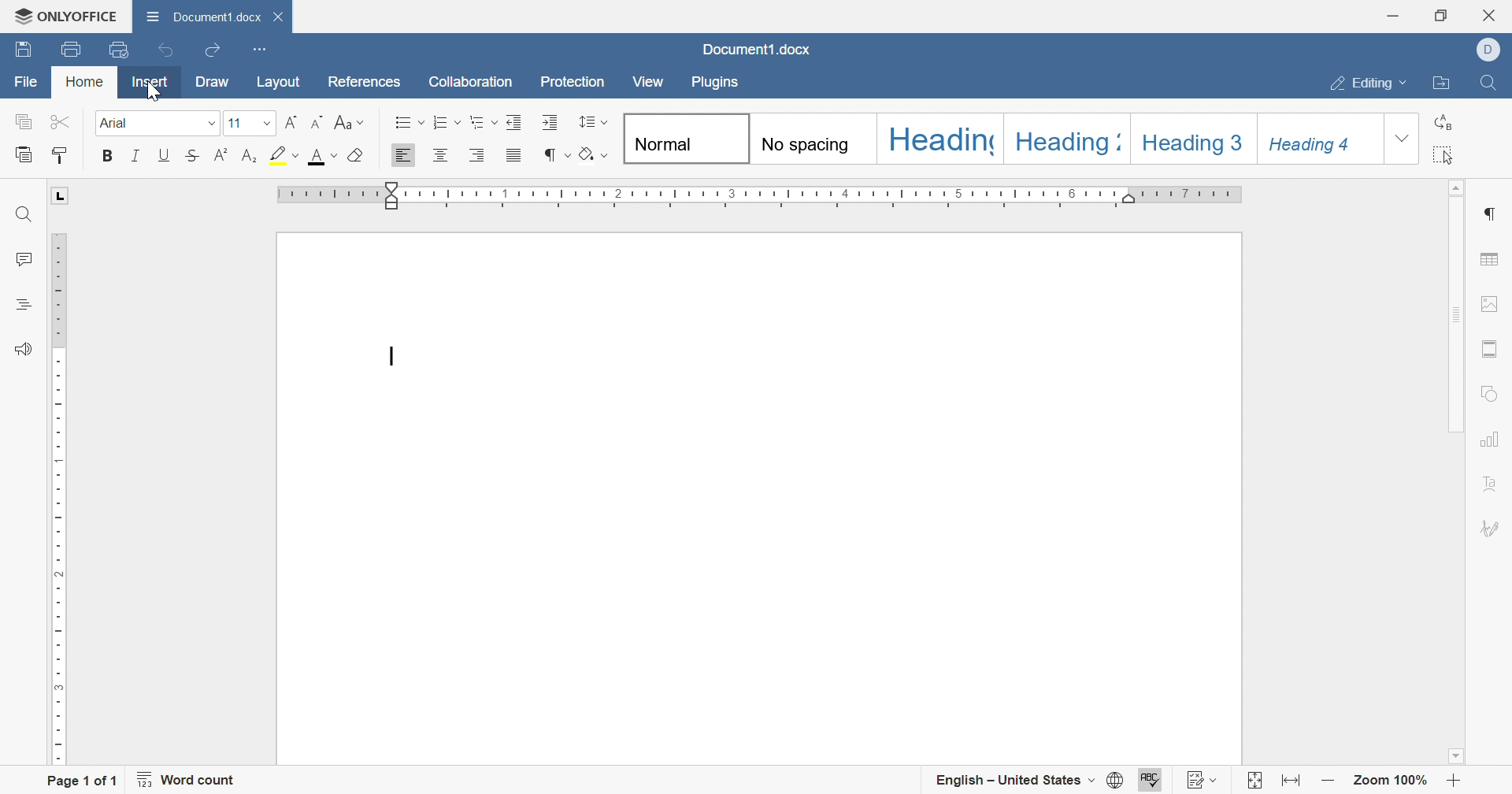 This screenshot has height=794, width=1512. Describe the element at coordinates (1454, 781) in the screenshot. I see `Zoom in` at that location.